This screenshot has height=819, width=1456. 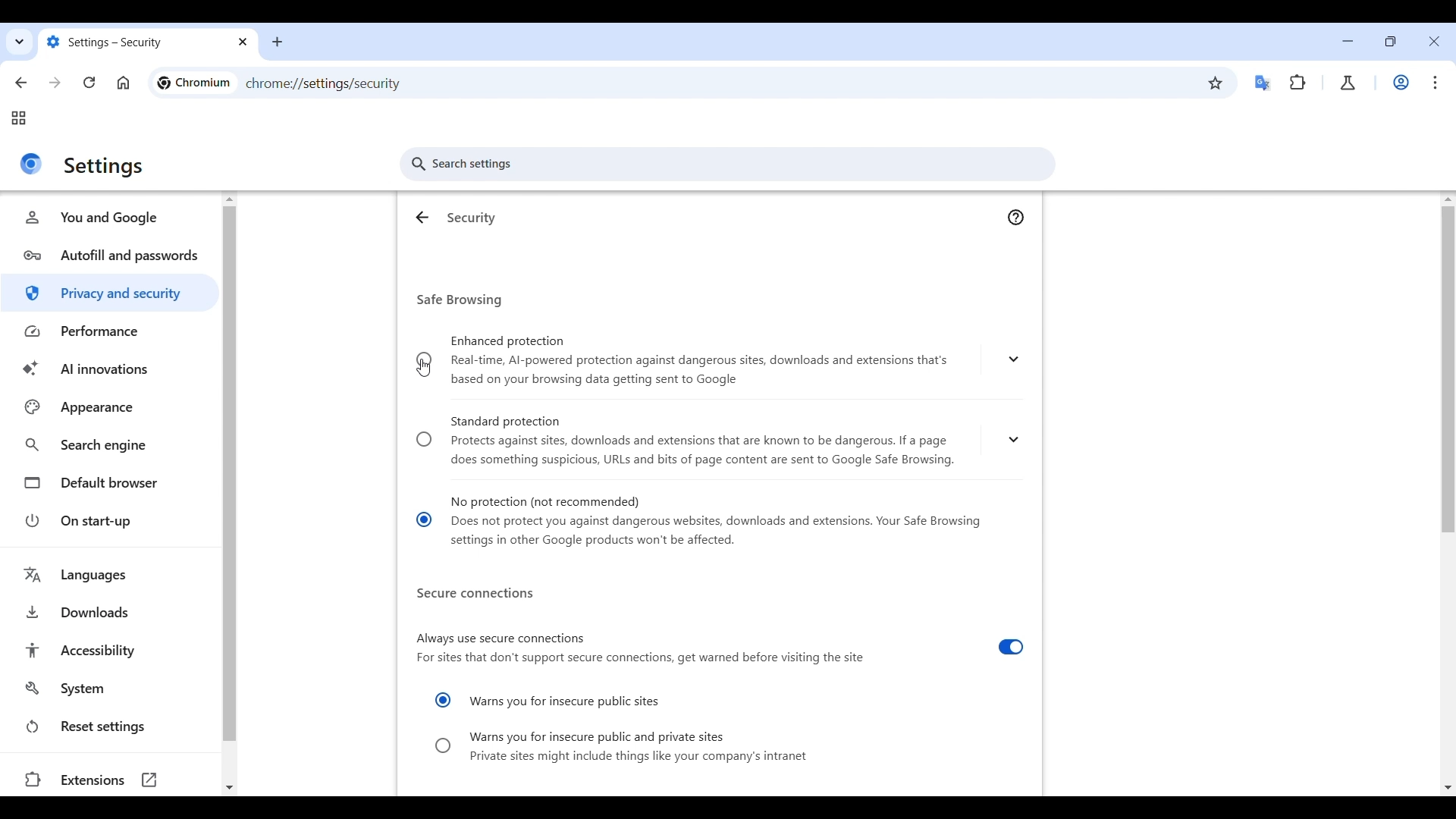 What do you see at coordinates (1263, 83) in the screenshot?
I see `Google translator extension` at bounding box center [1263, 83].